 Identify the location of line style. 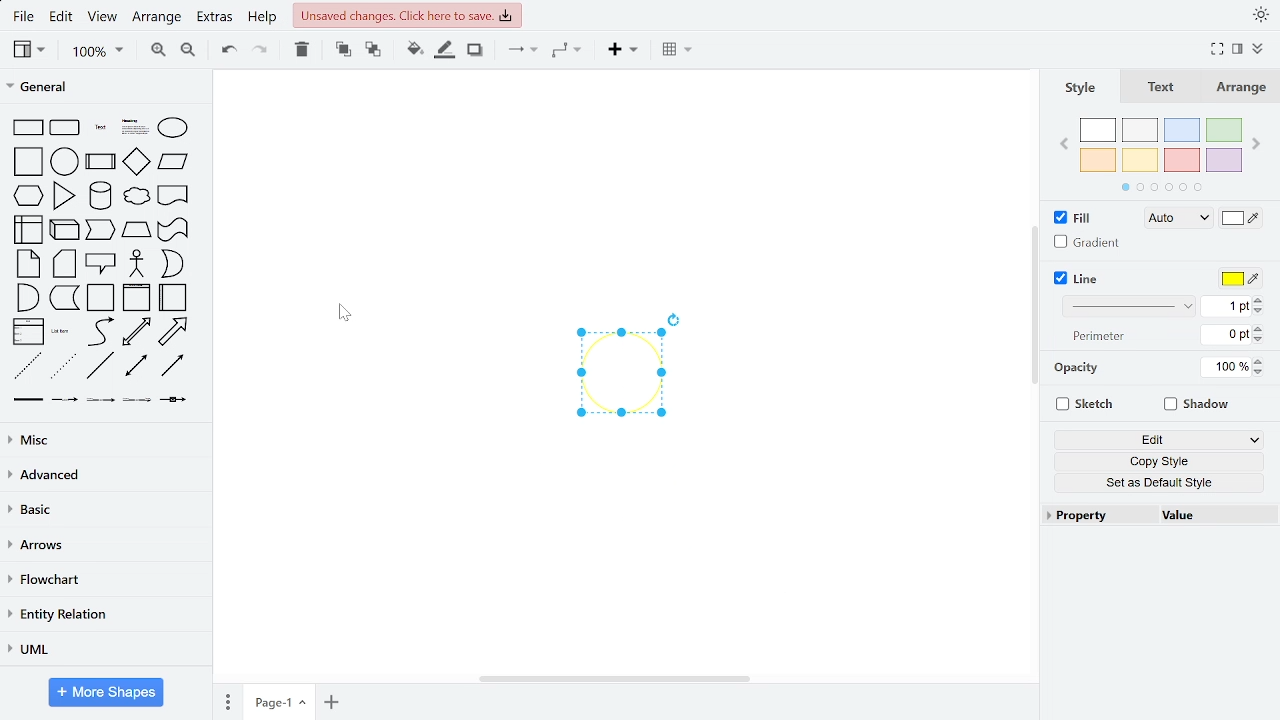
(1130, 305).